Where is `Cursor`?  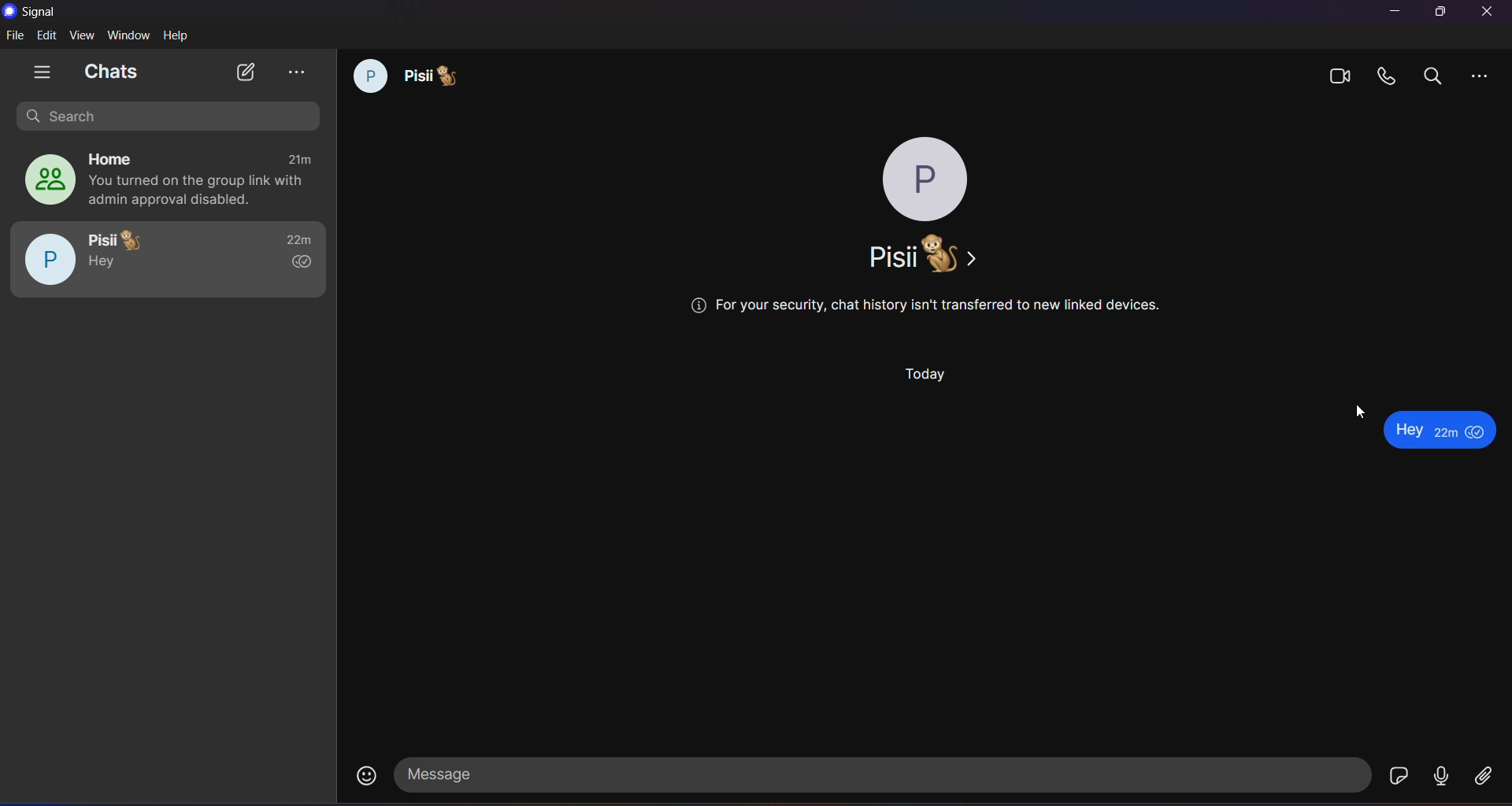
Cursor is located at coordinates (1357, 417).